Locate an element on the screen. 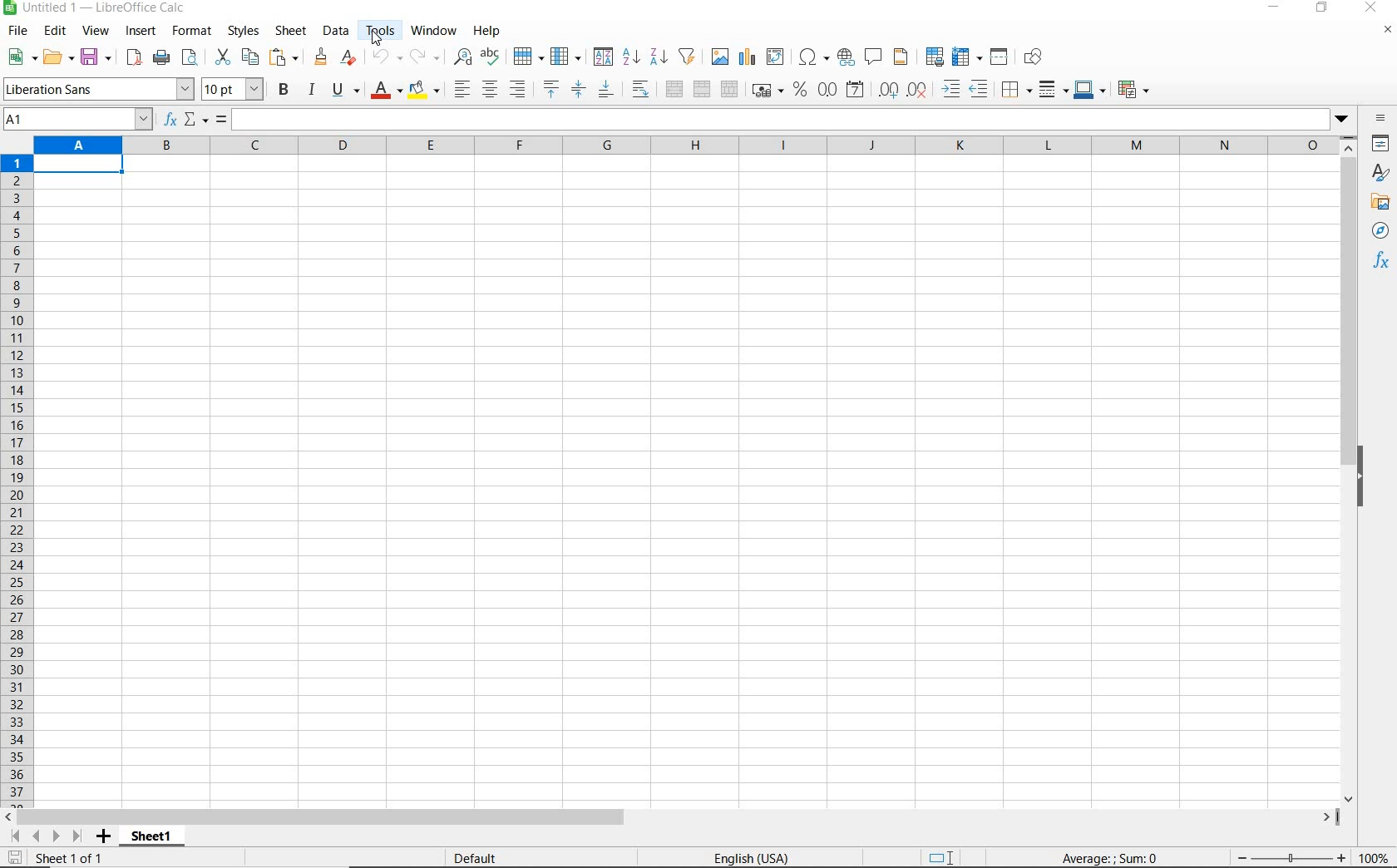  align top is located at coordinates (550, 89).